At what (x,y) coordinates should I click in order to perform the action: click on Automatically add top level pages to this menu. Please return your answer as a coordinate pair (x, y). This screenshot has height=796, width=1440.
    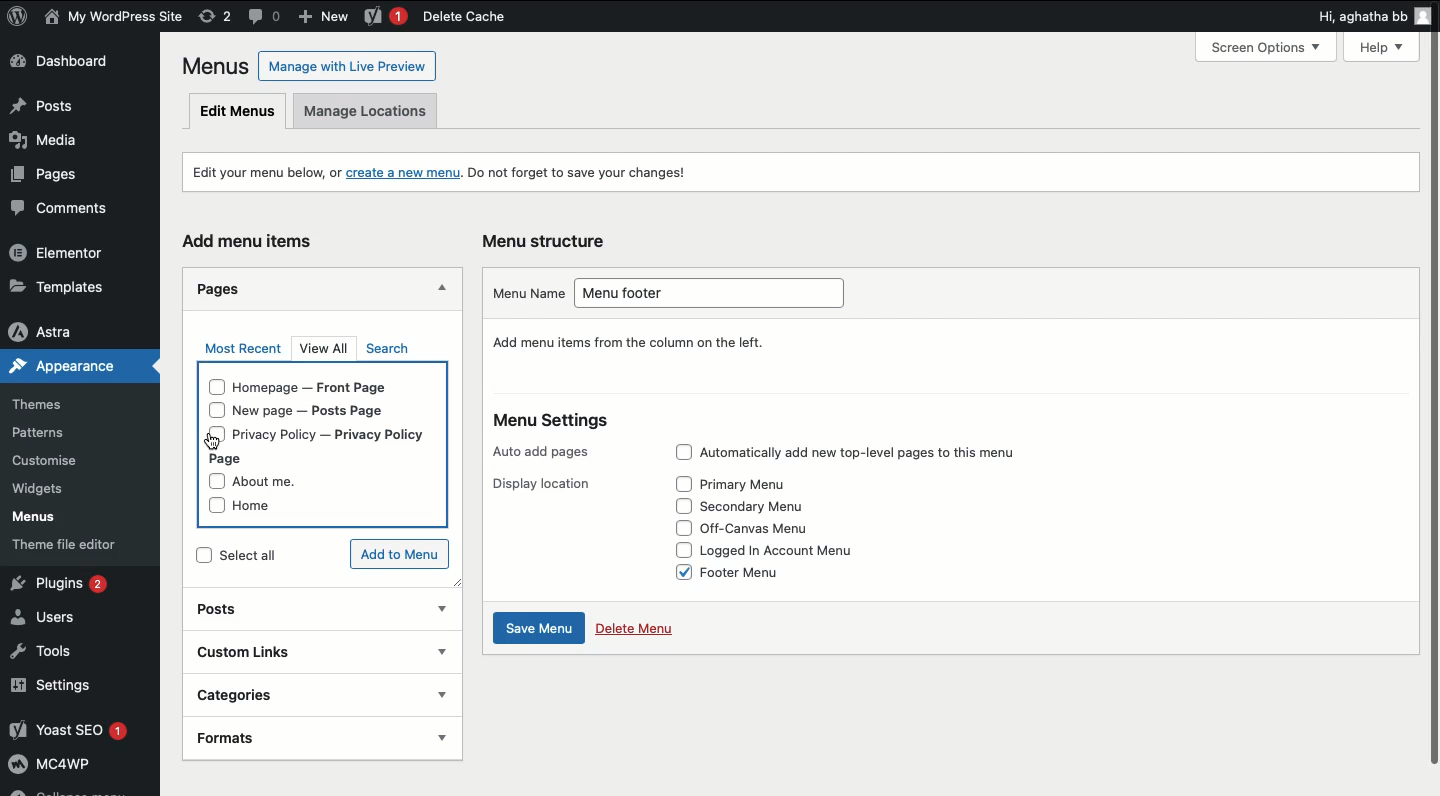
    Looking at the image, I should click on (881, 453).